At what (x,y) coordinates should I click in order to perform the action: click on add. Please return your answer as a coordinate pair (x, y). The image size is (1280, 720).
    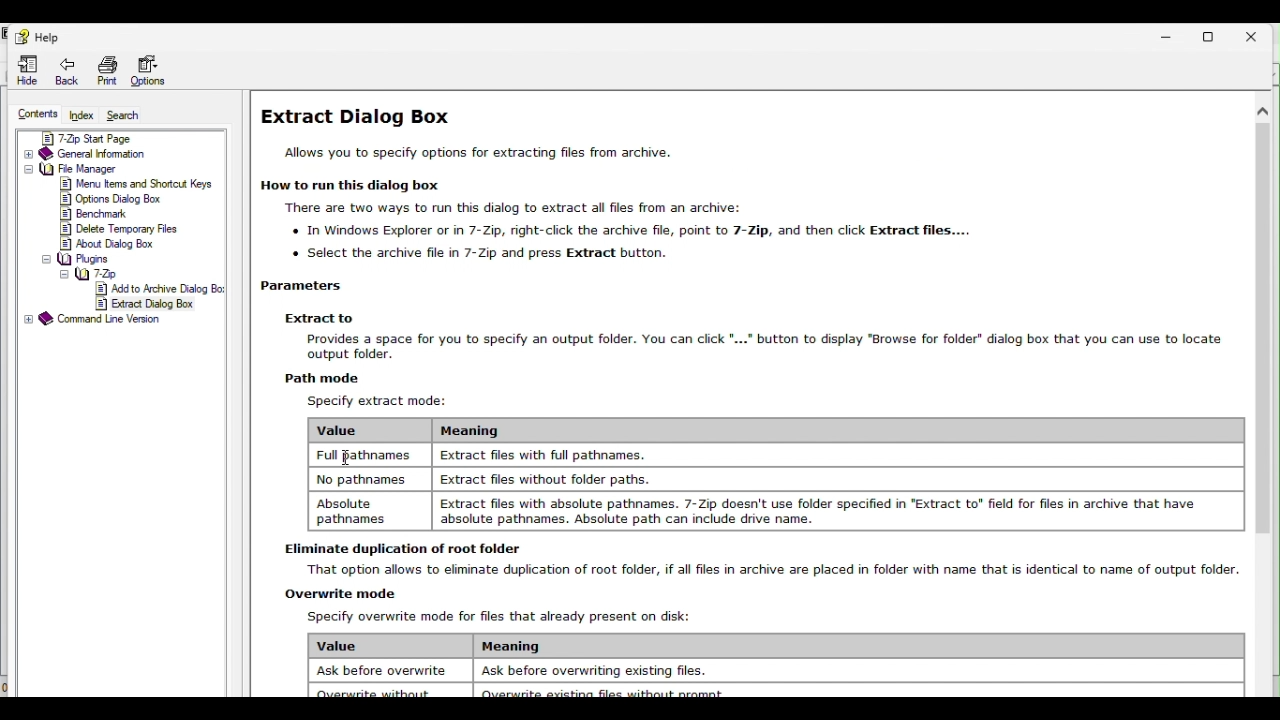
    Looking at the image, I should click on (160, 289).